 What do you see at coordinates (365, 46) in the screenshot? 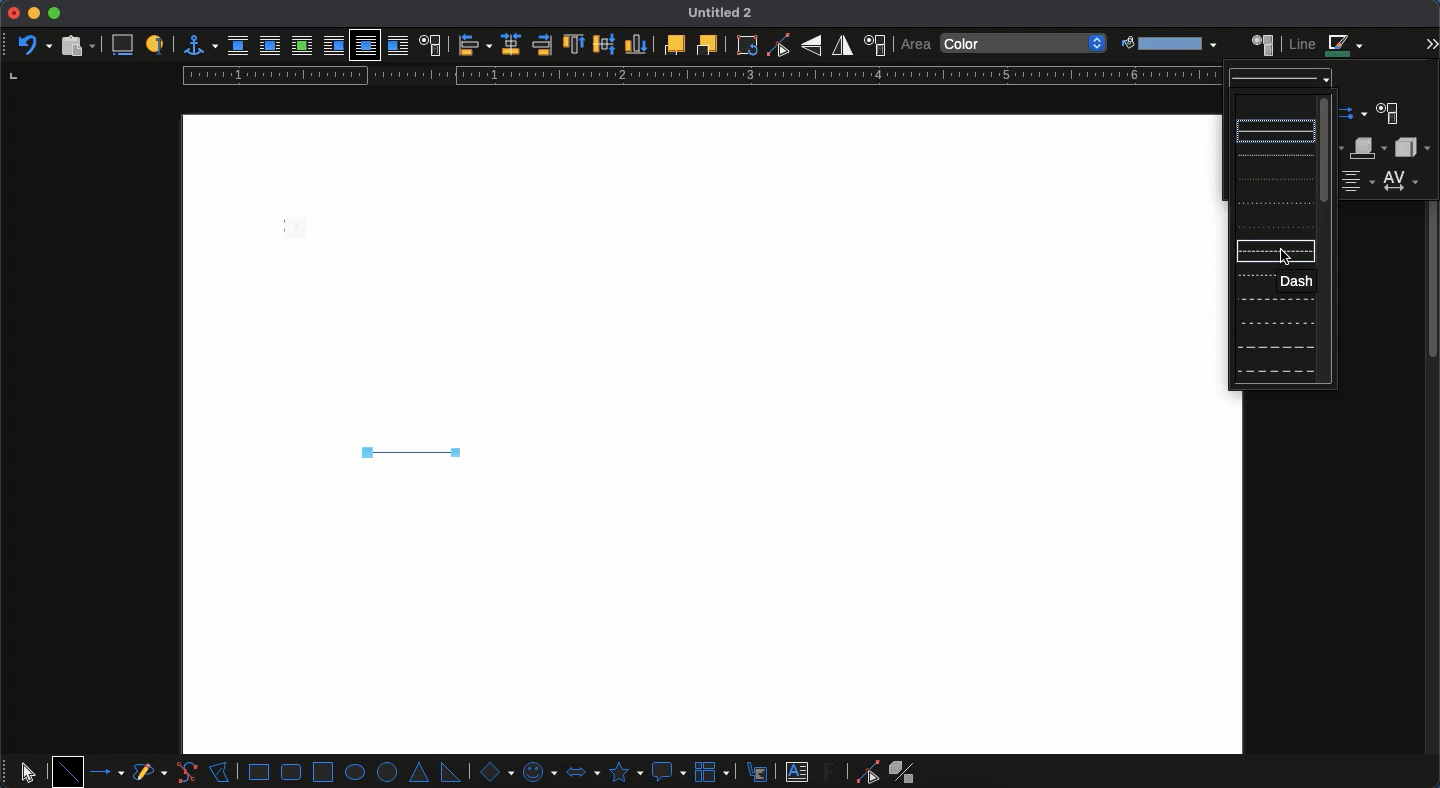
I see `through ` at bounding box center [365, 46].